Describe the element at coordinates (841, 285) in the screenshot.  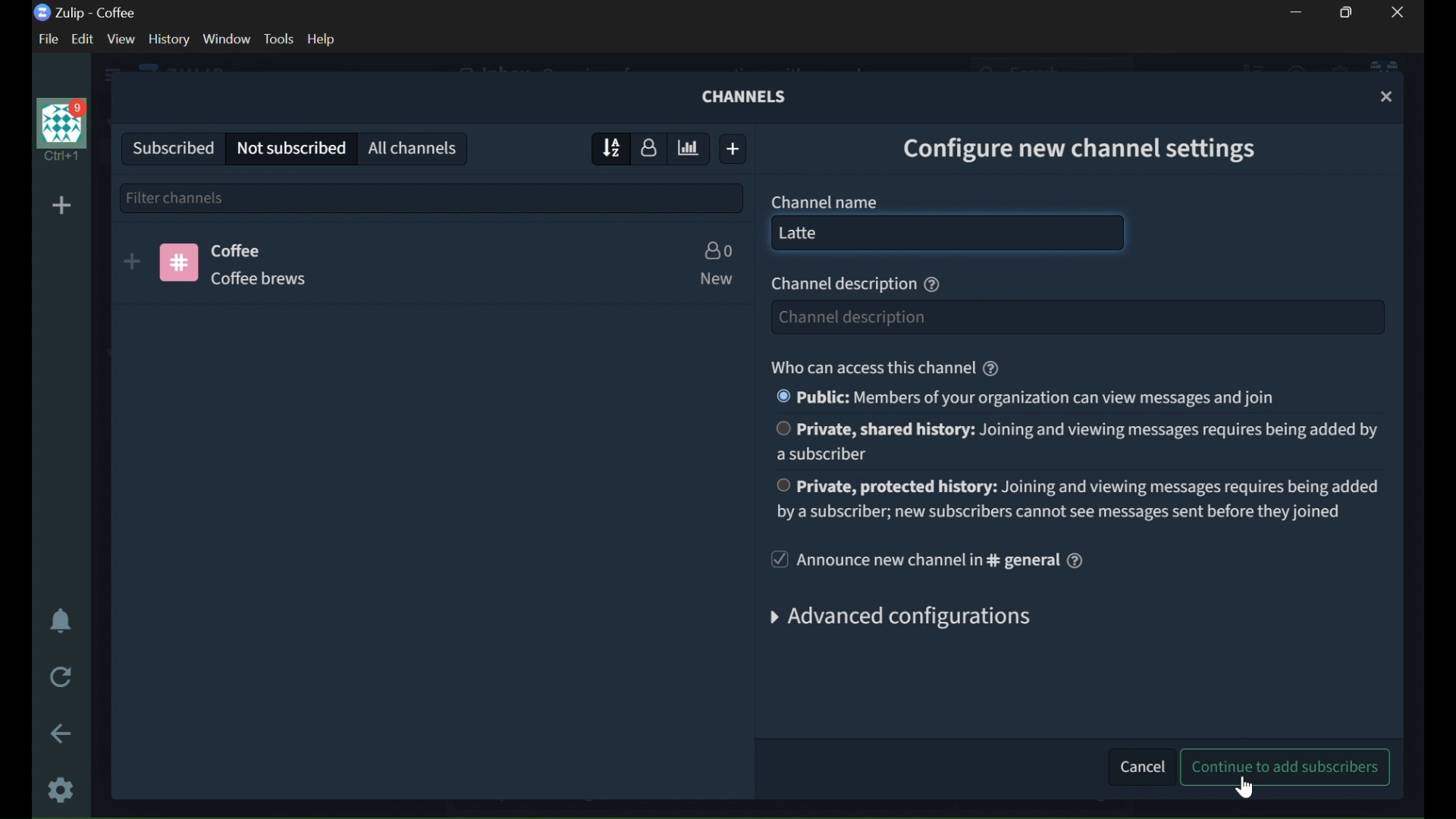
I see `CHANNEL DESCRIPTION` at that location.